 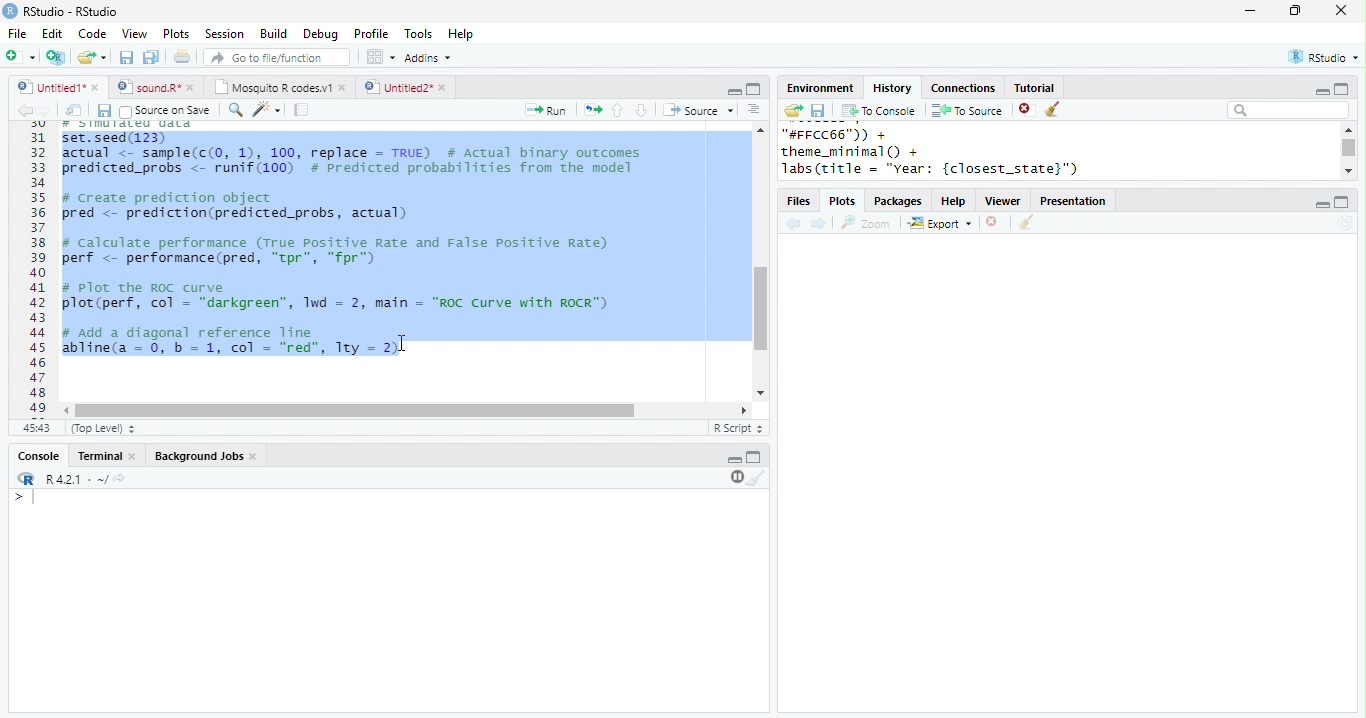 I want to click on View, so click(x=134, y=34).